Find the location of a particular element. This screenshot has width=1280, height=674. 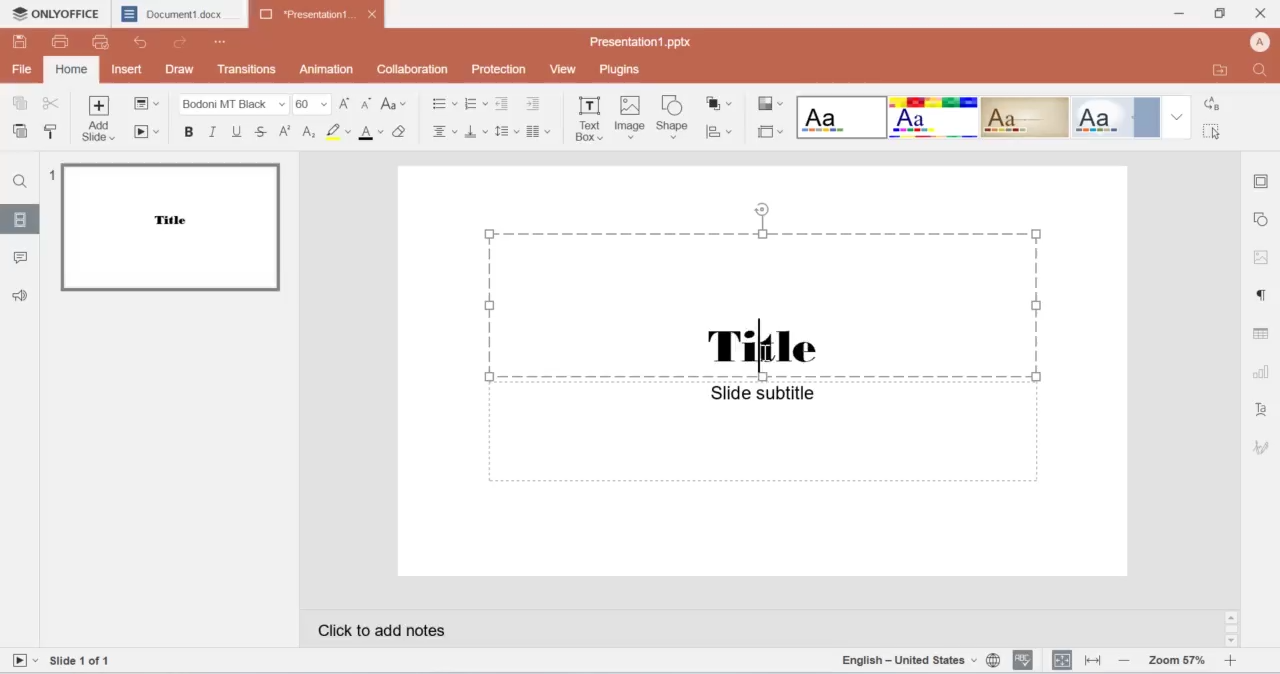

Presentation1 is located at coordinates (319, 14).